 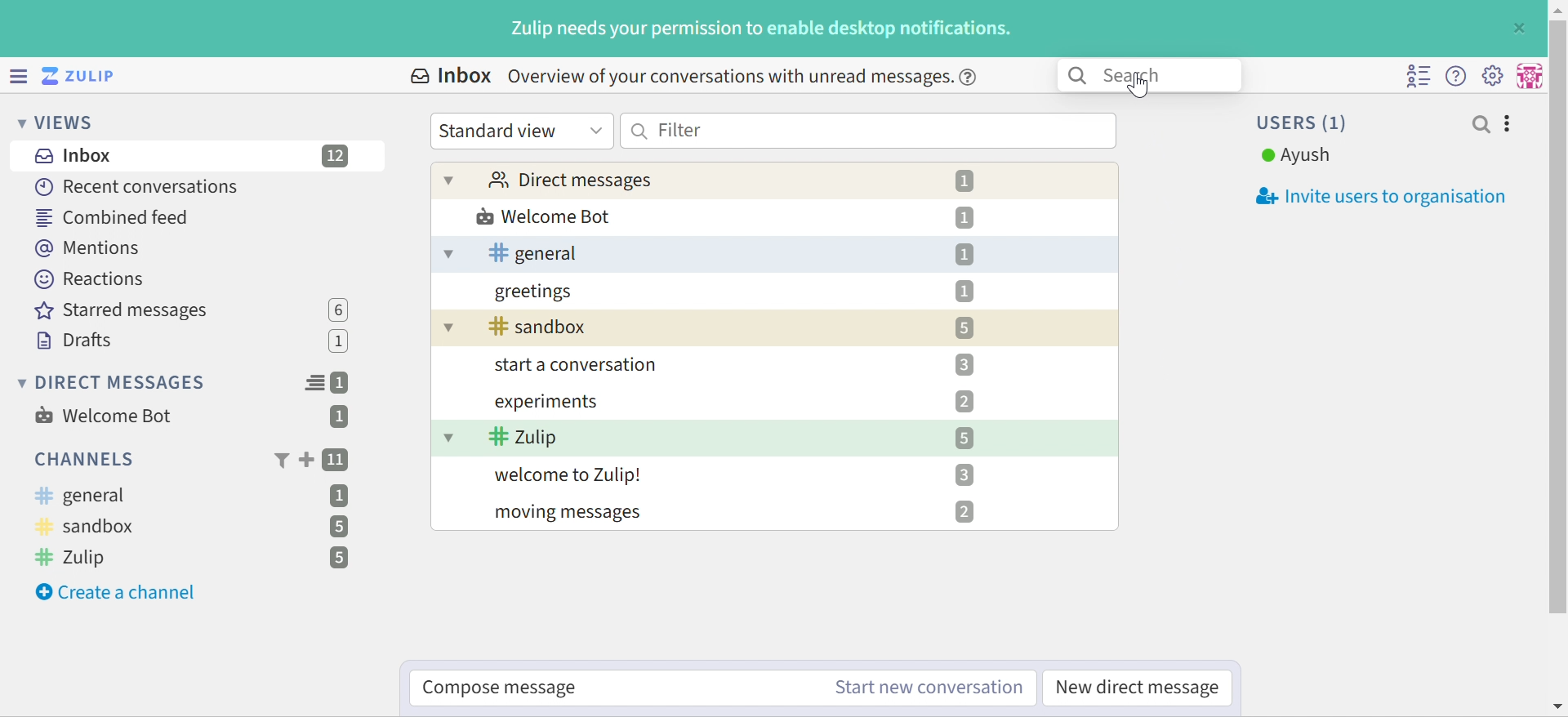 I want to click on # Zulip, so click(x=77, y=559).